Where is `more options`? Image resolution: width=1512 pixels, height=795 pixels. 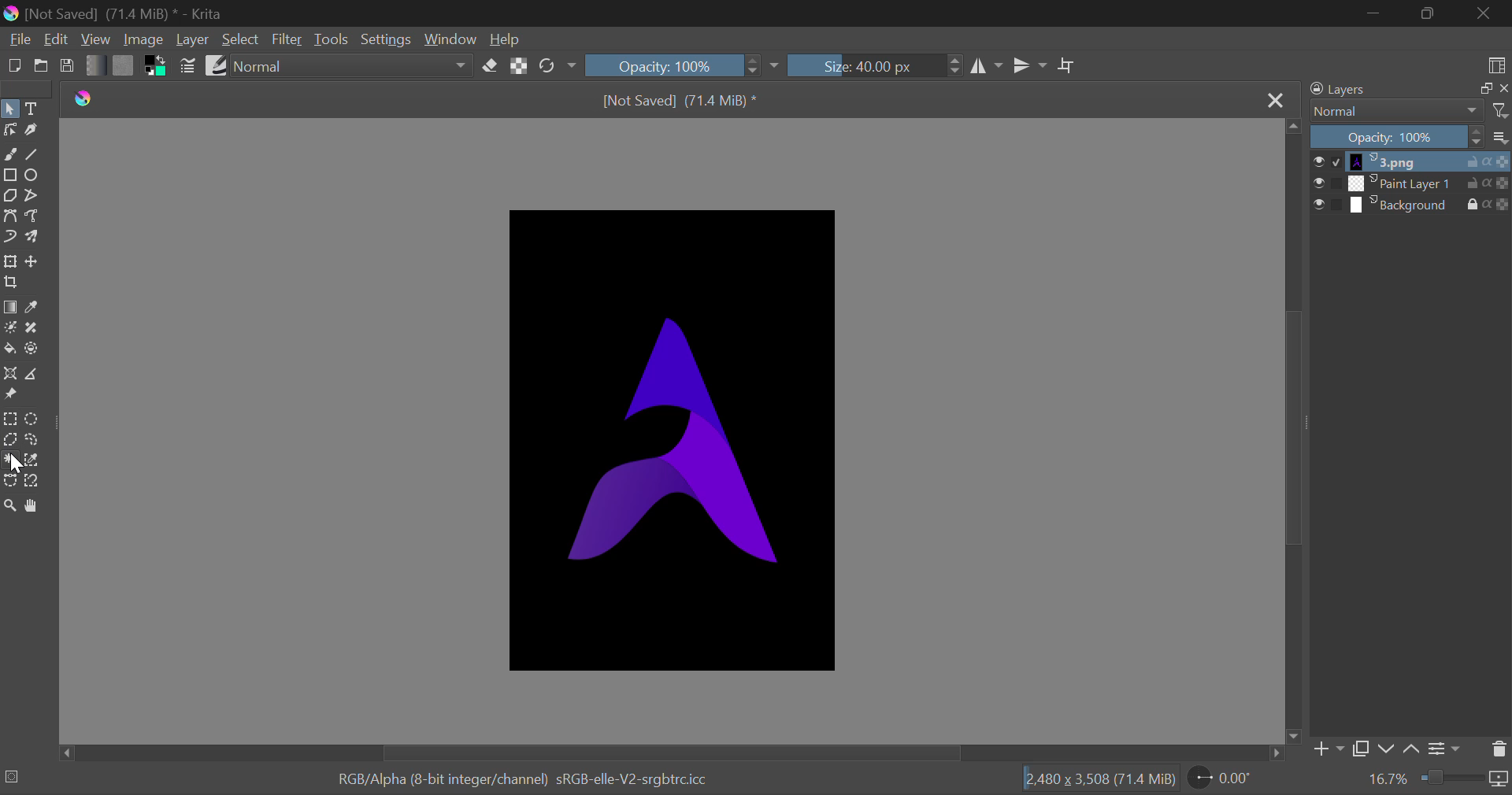 more options is located at coordinates (1499, 139).